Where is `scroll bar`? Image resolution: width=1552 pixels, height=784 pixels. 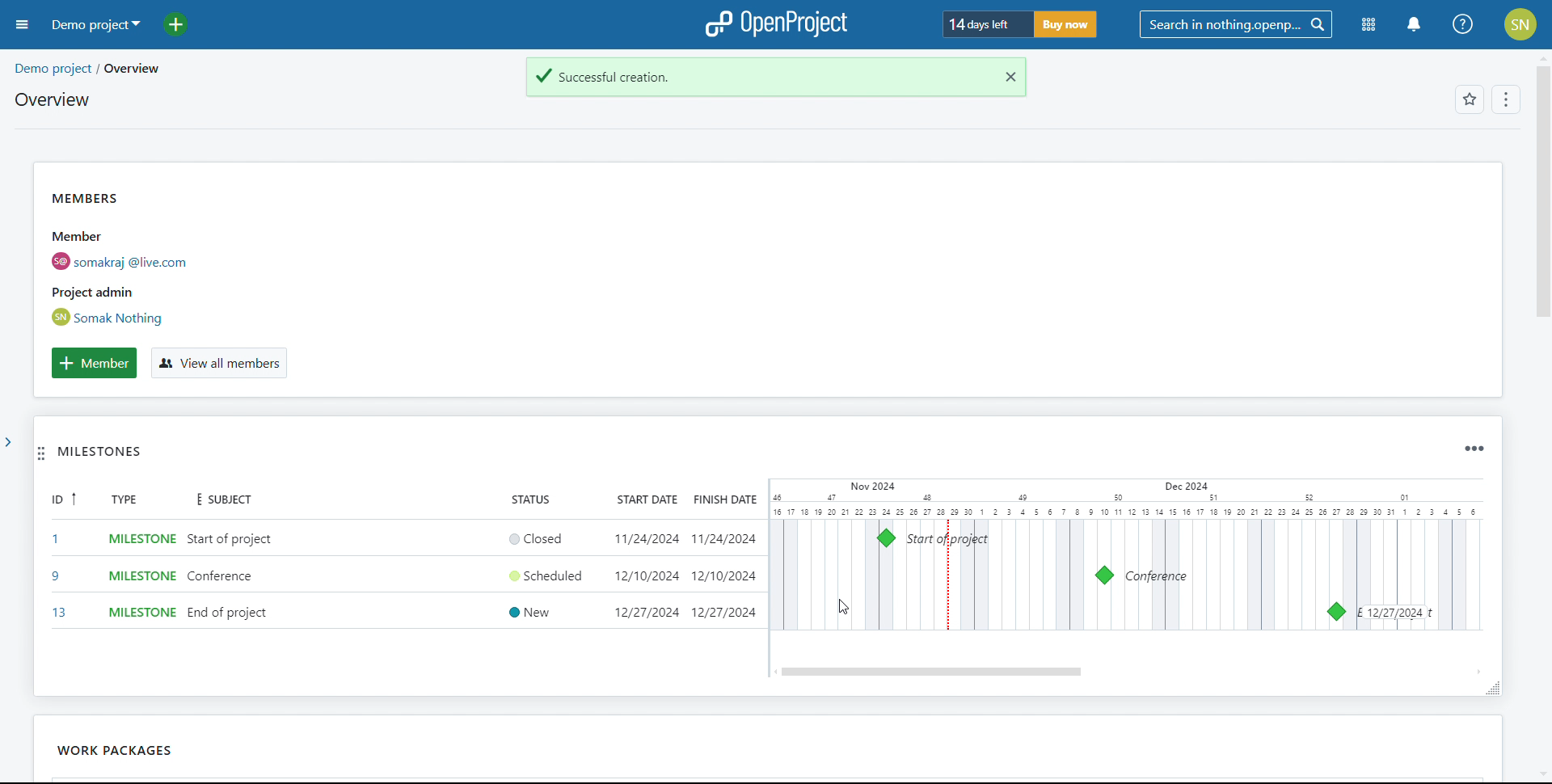 scroll bar is located at coordinates (938, 674).